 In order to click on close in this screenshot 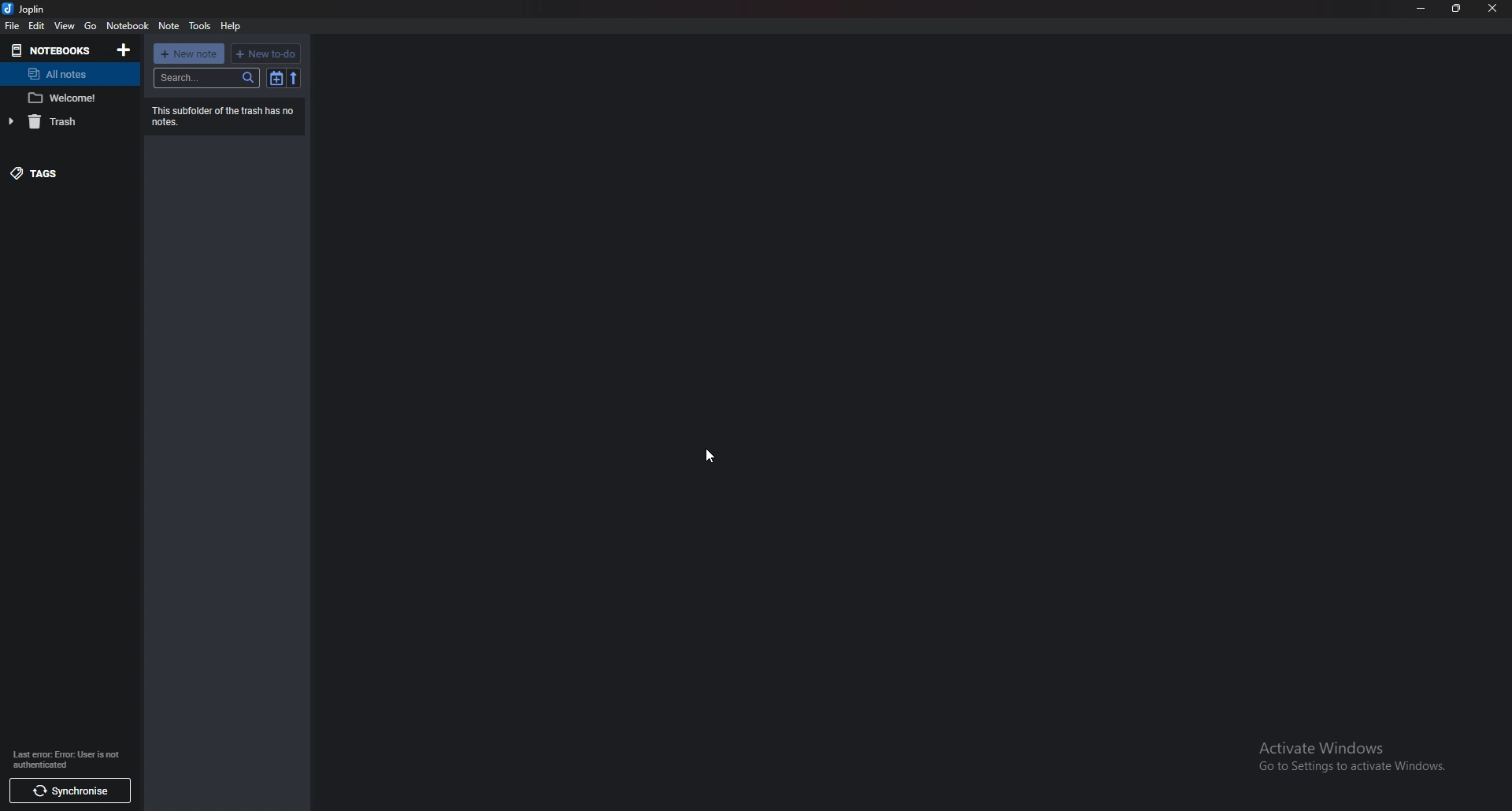, I will do `click(1492, 8)`.